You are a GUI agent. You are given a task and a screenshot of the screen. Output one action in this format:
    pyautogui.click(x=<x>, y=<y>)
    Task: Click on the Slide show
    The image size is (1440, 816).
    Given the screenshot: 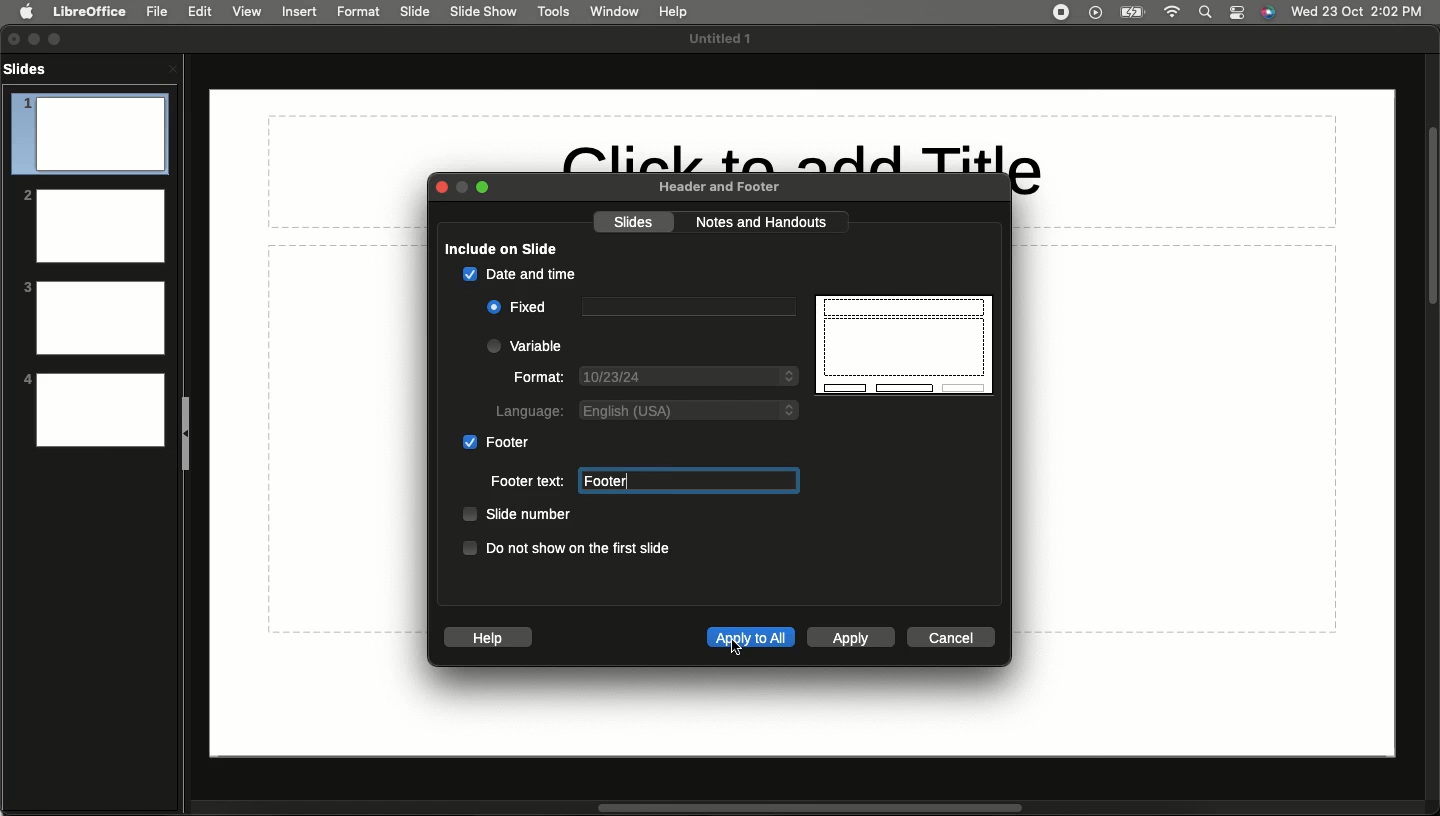 What is the action you would take?
    pyautogui.click(x=486, y=12)
    